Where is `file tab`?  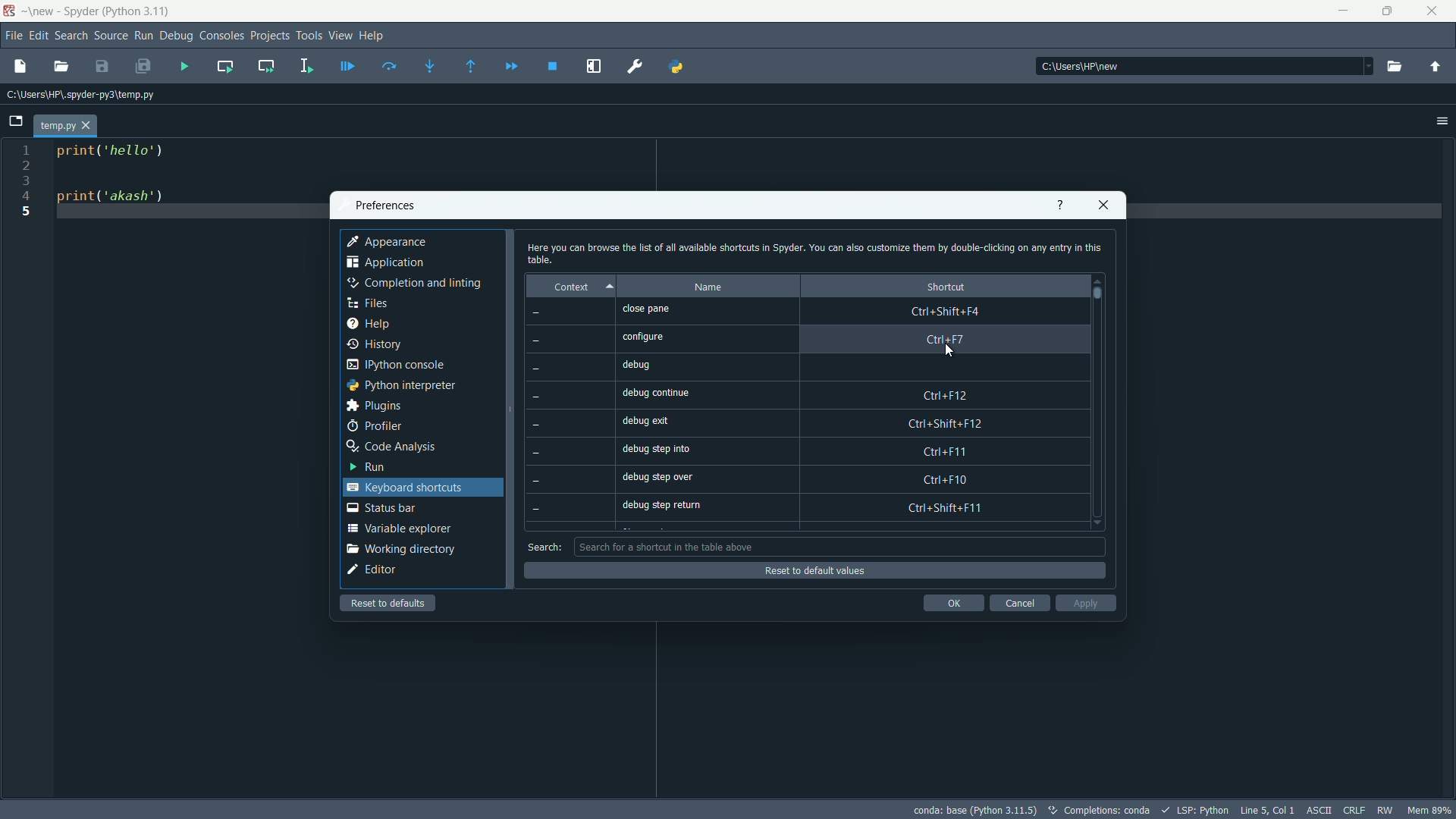 file tab is located at coordinates (64, 126).